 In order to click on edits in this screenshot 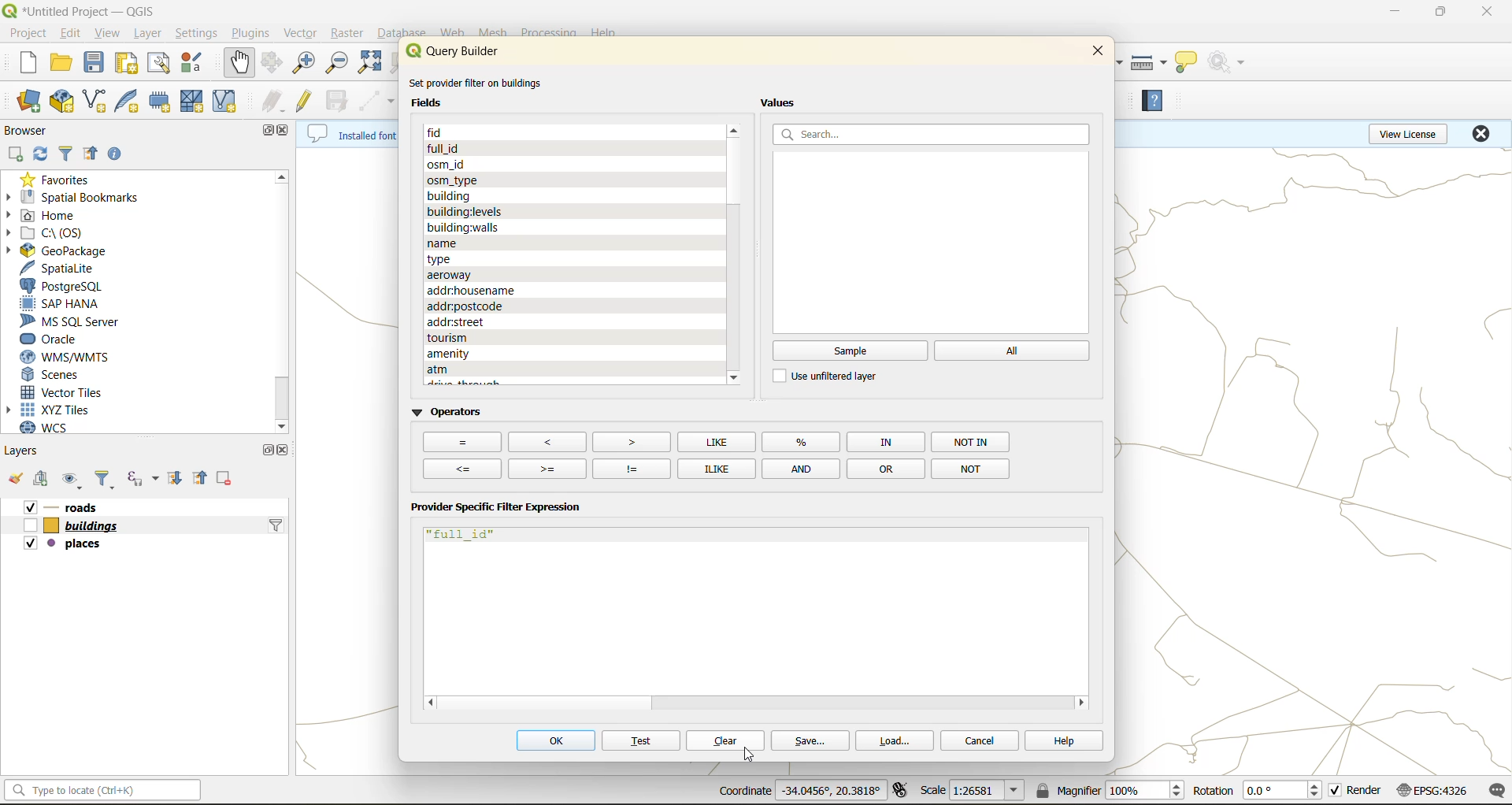, I will do `click(274, 102)`.